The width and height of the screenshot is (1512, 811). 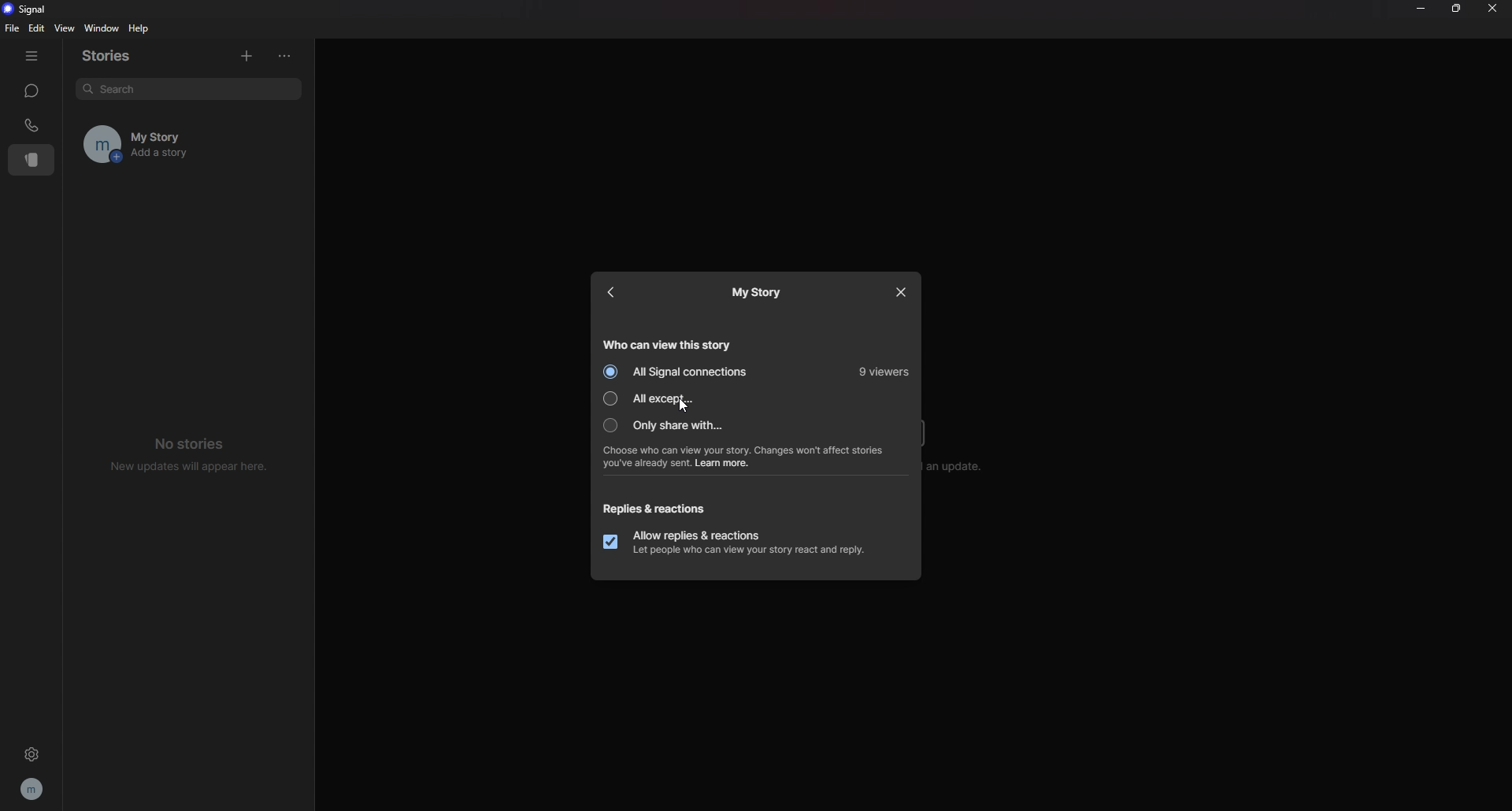 What do you see at coordinates (1492, 7) in the screenshot?
I see `close` at bounding box center [1492, 7].